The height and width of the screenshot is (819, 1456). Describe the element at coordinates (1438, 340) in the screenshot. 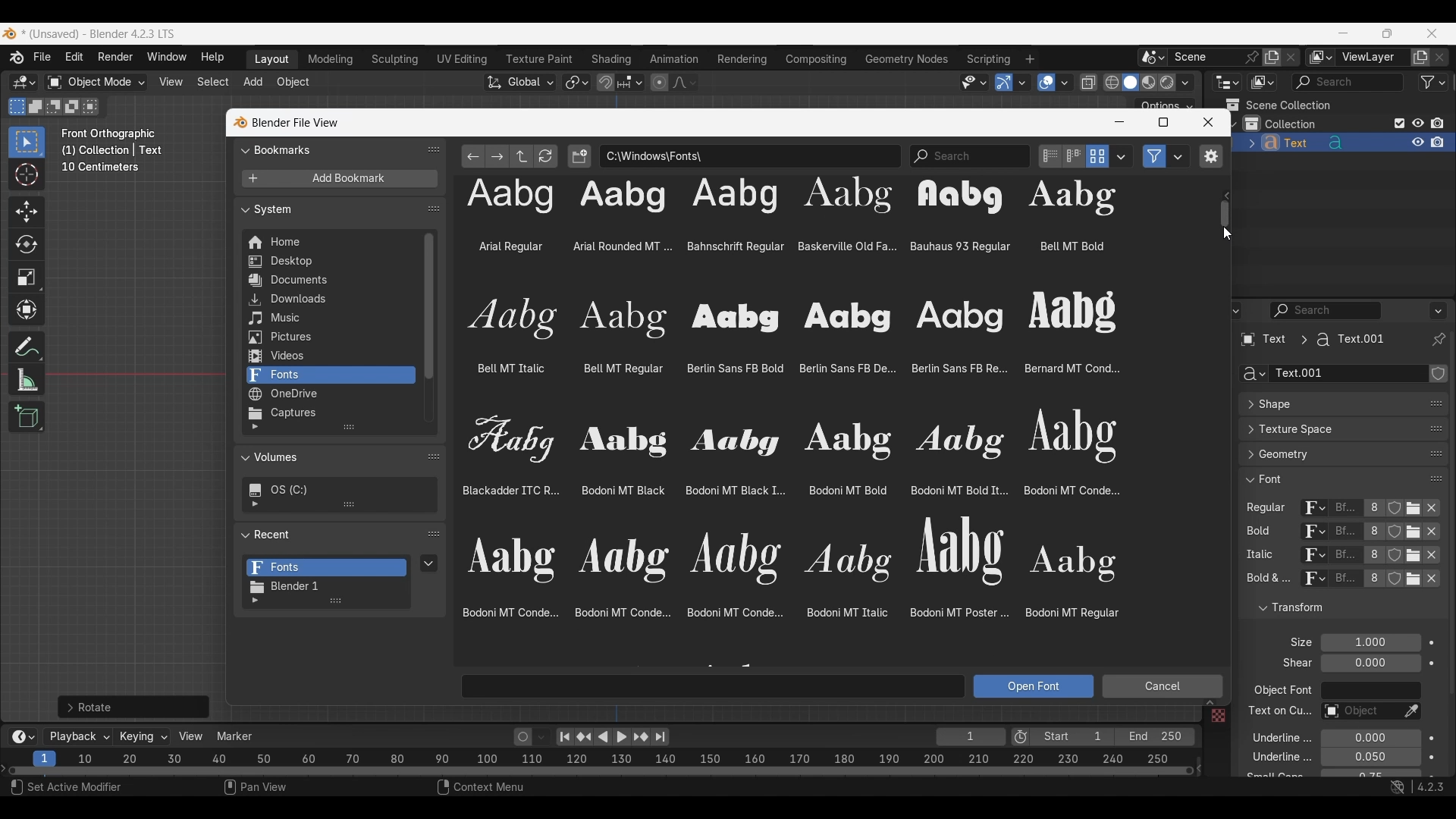

I see `Toggle pin ID` at that location.